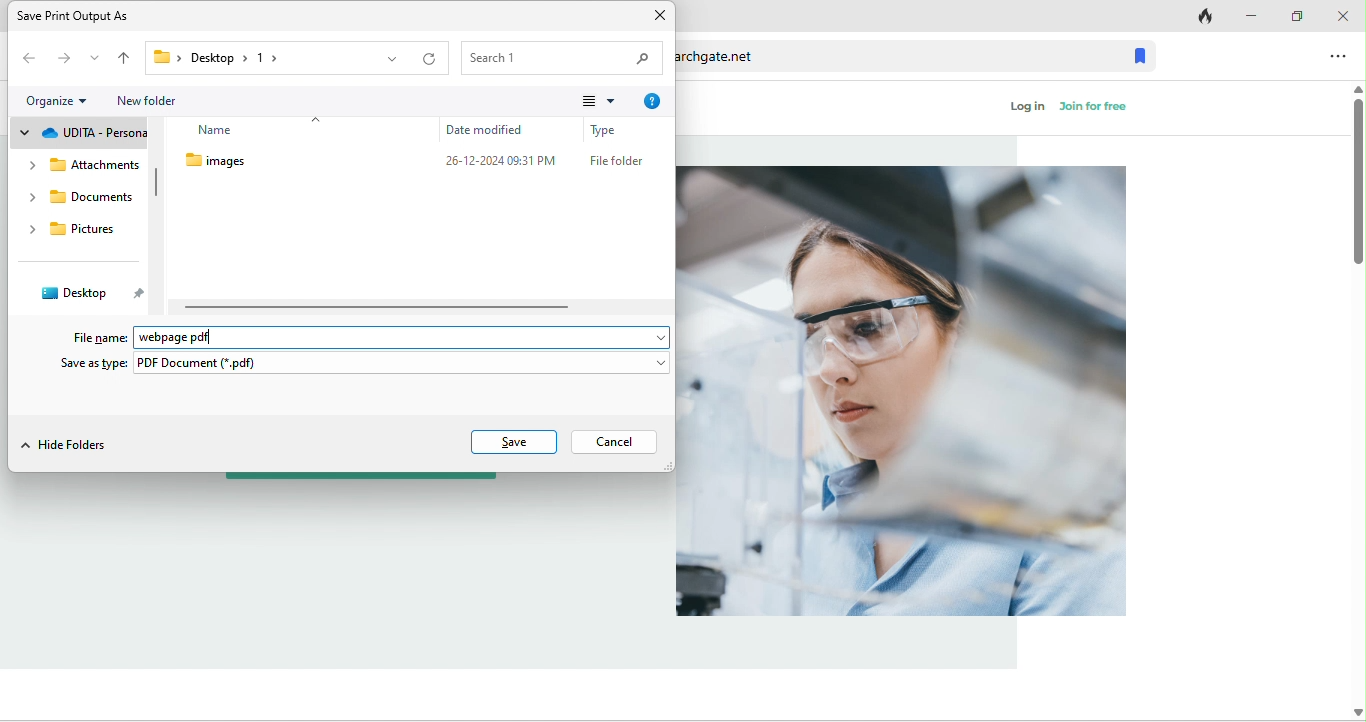 The image size is (1366, 722). What do you see at coordinates (430, 57) in the screenshot?
I see `refresh` at bounding box center [430, 57].